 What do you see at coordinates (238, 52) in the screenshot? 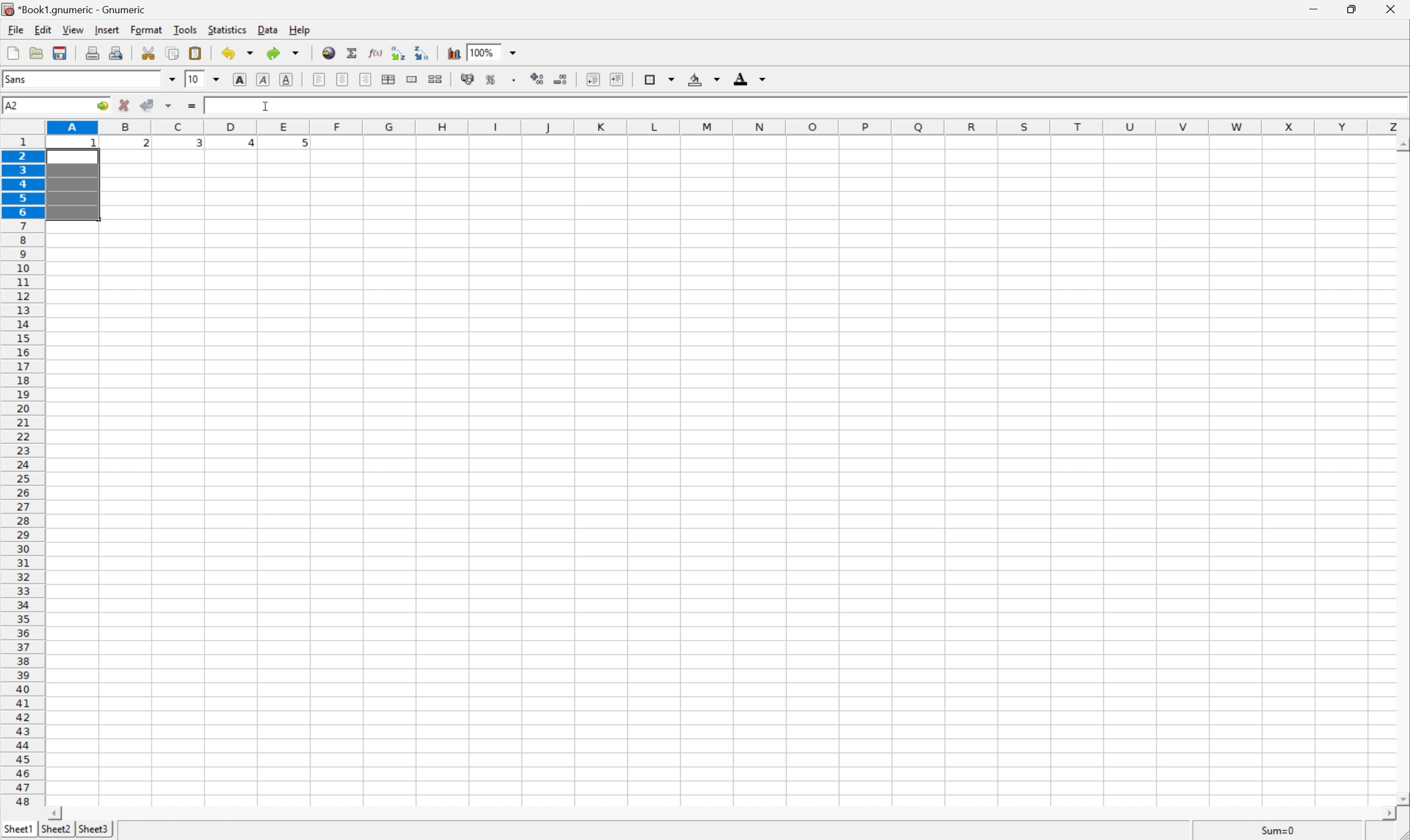
I see `undo` at bounding box center [238, 52].